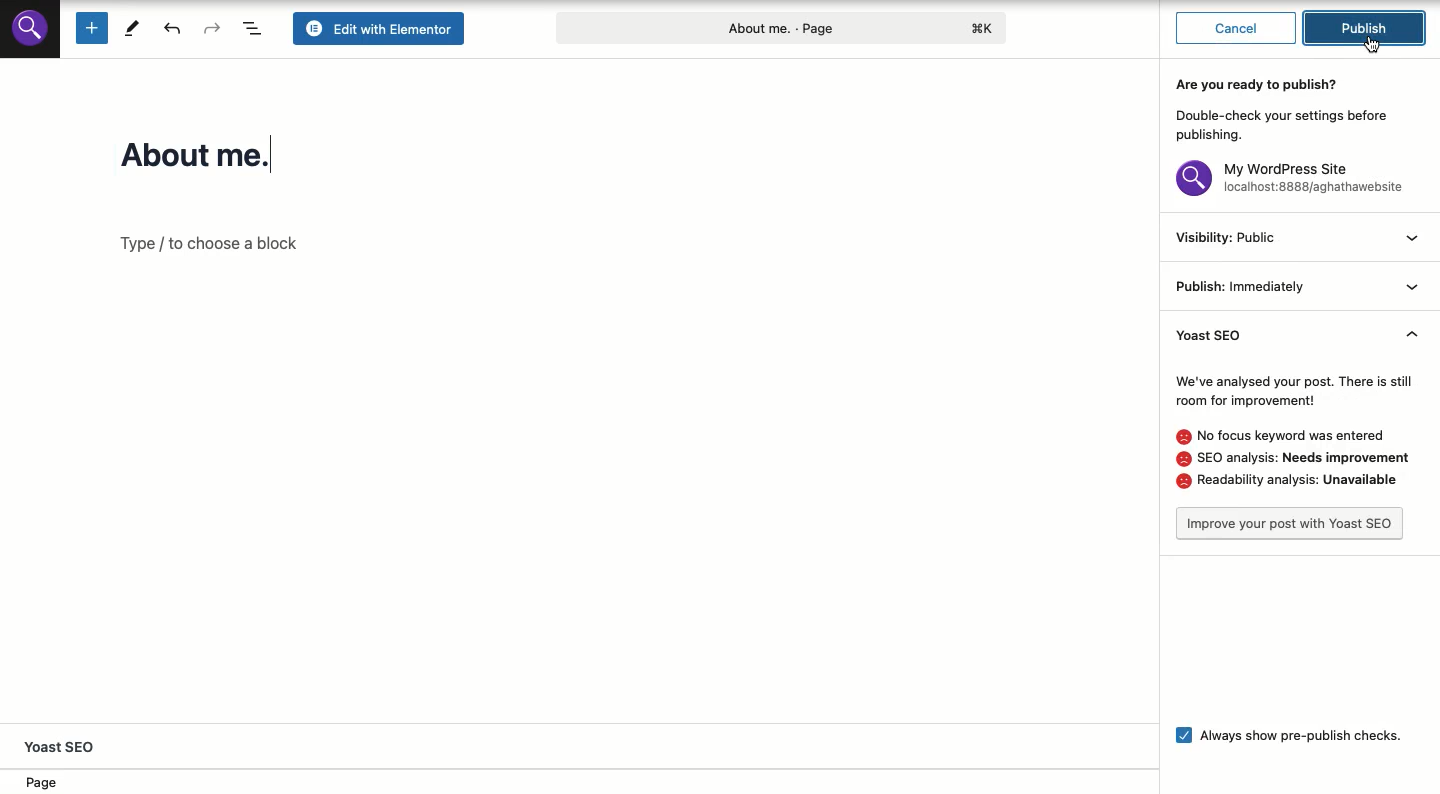 The height and width of the screenshot is (794, 1440). I want to click on About me., so click(217, 154).